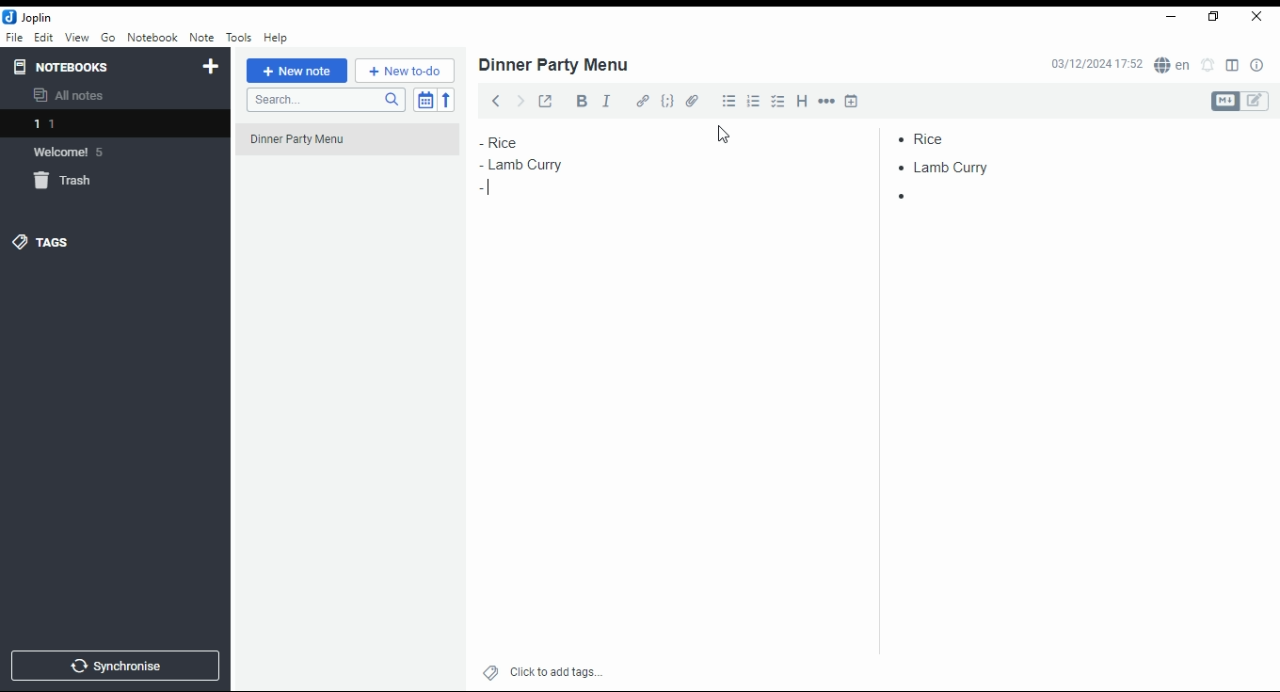 This screenshot has height=692, width=1280. What do you see at coordinates (492, 99) in the screenshot?
I see `back` at bounding box center [492, 99].